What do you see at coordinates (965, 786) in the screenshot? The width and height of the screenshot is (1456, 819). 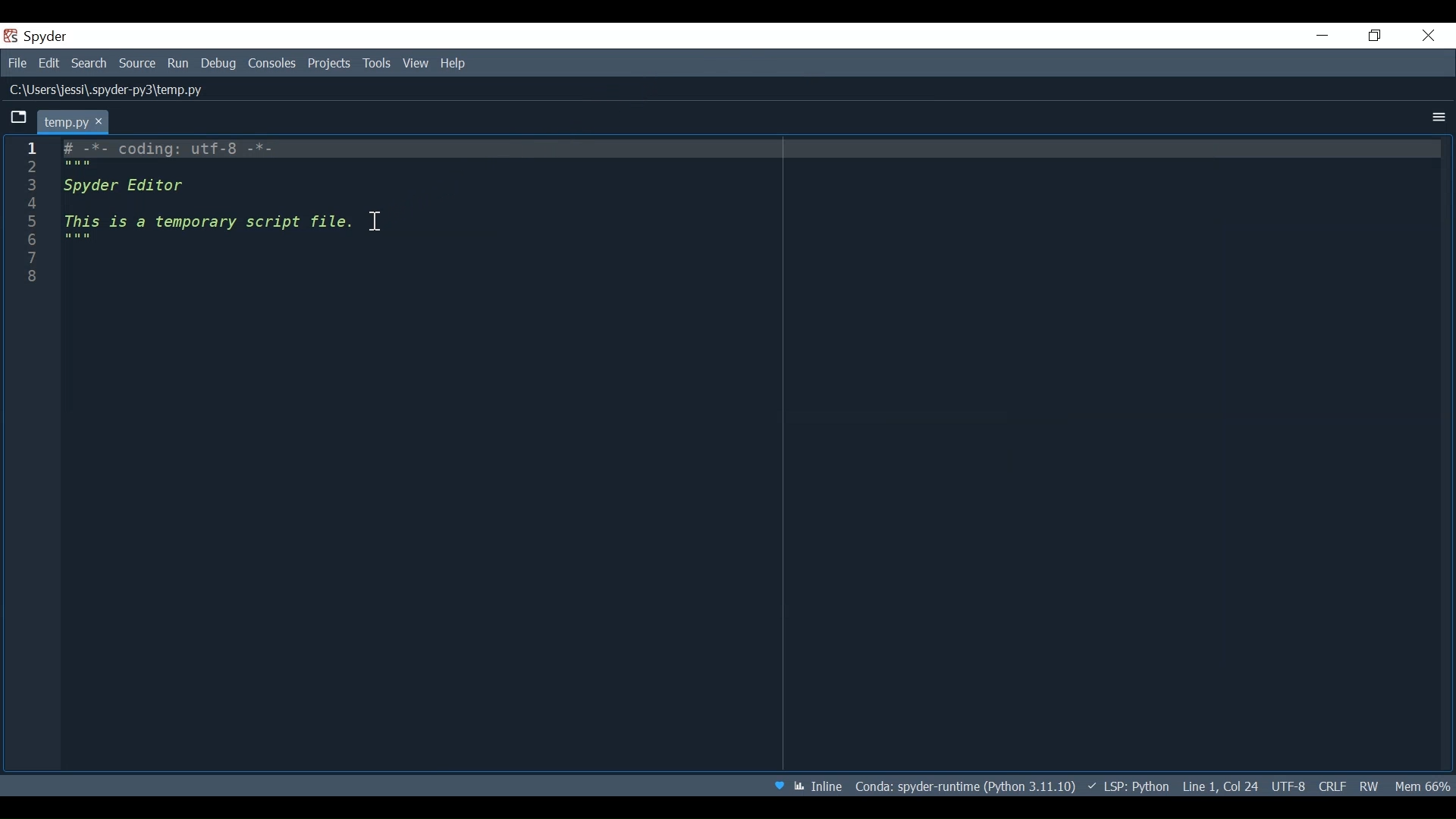 I see `File Path` at bounding box center [965, 786].